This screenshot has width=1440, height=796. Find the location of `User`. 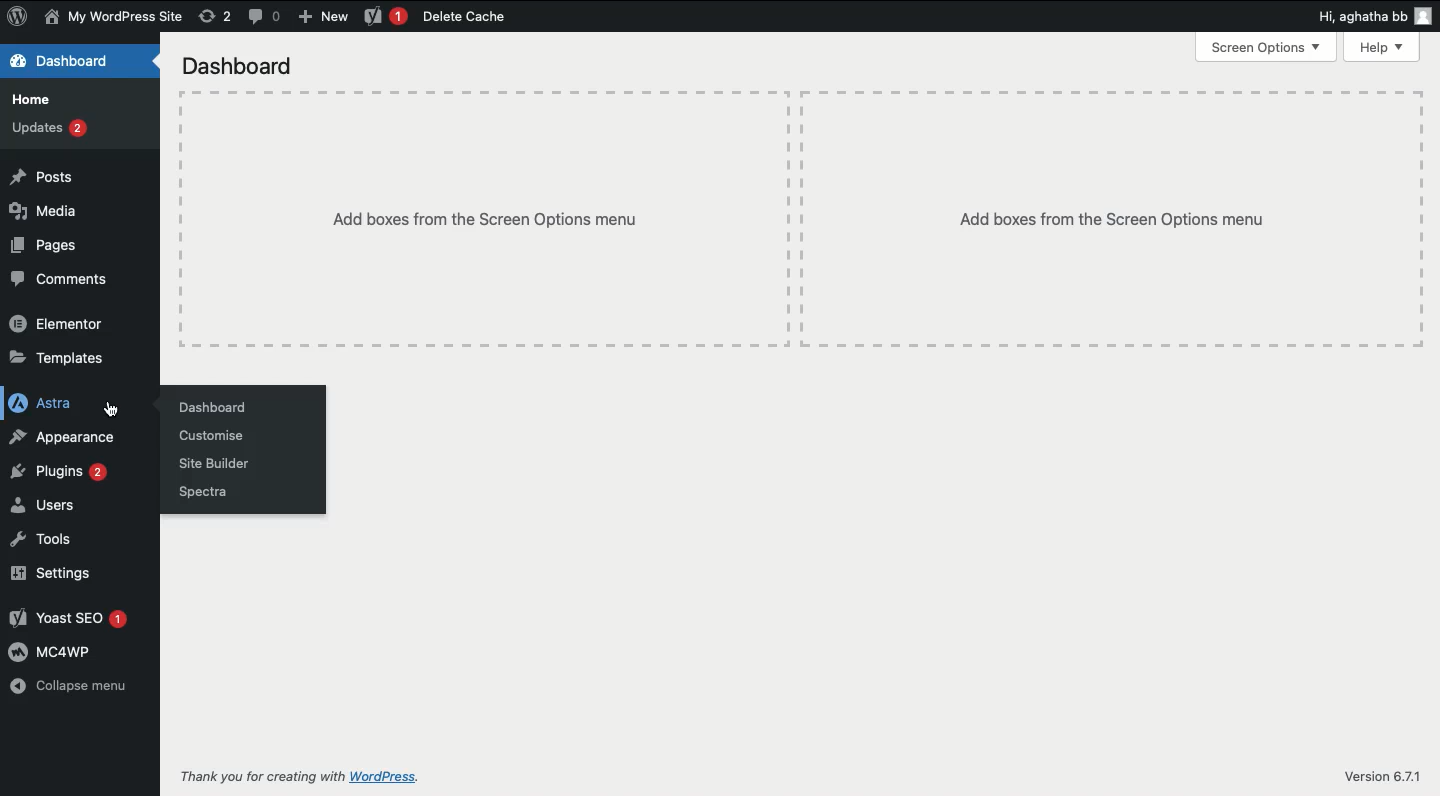

User is located at coordinates (114, 18).